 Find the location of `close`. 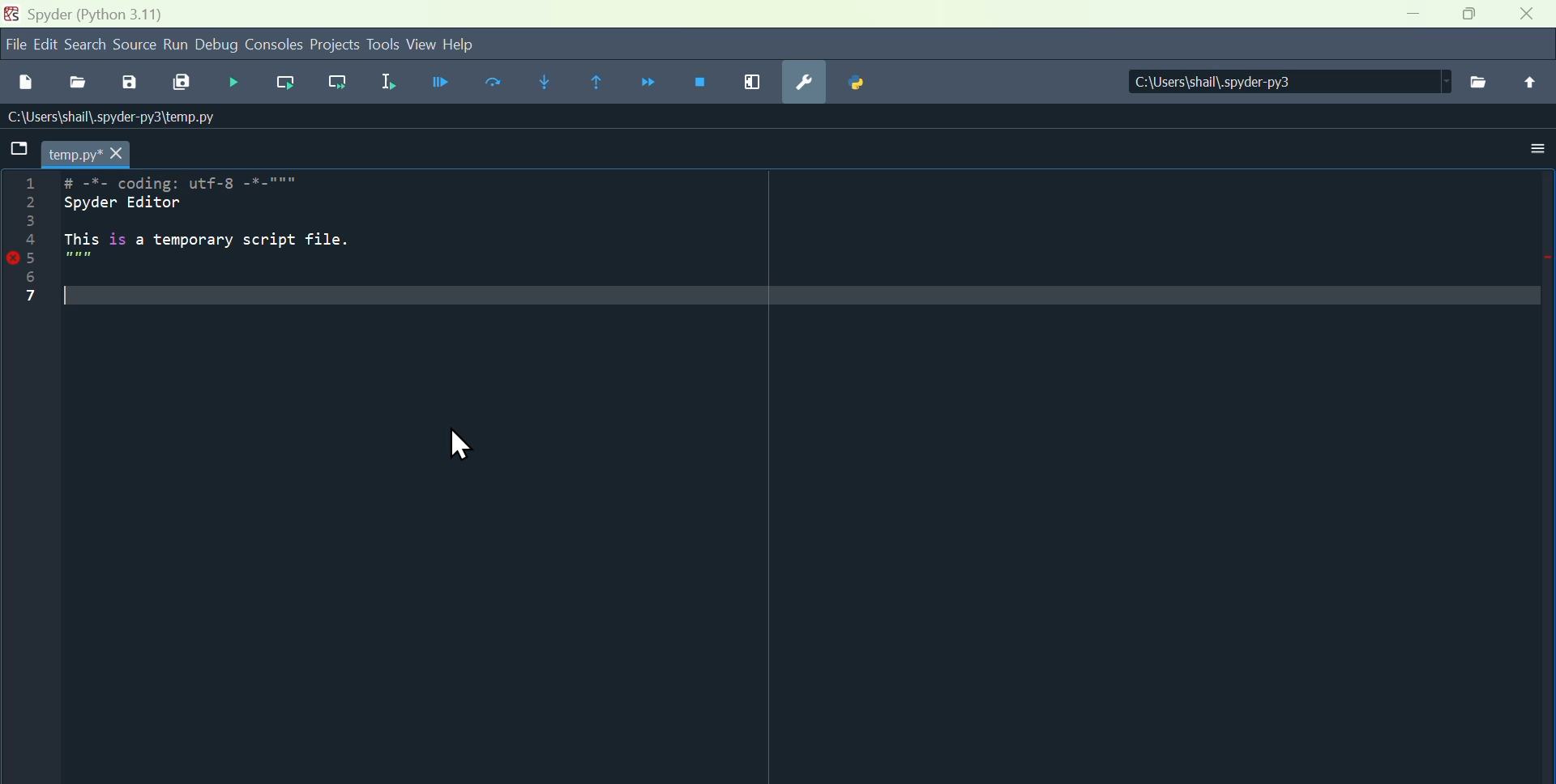

close is located at coordinates (1528, 15).